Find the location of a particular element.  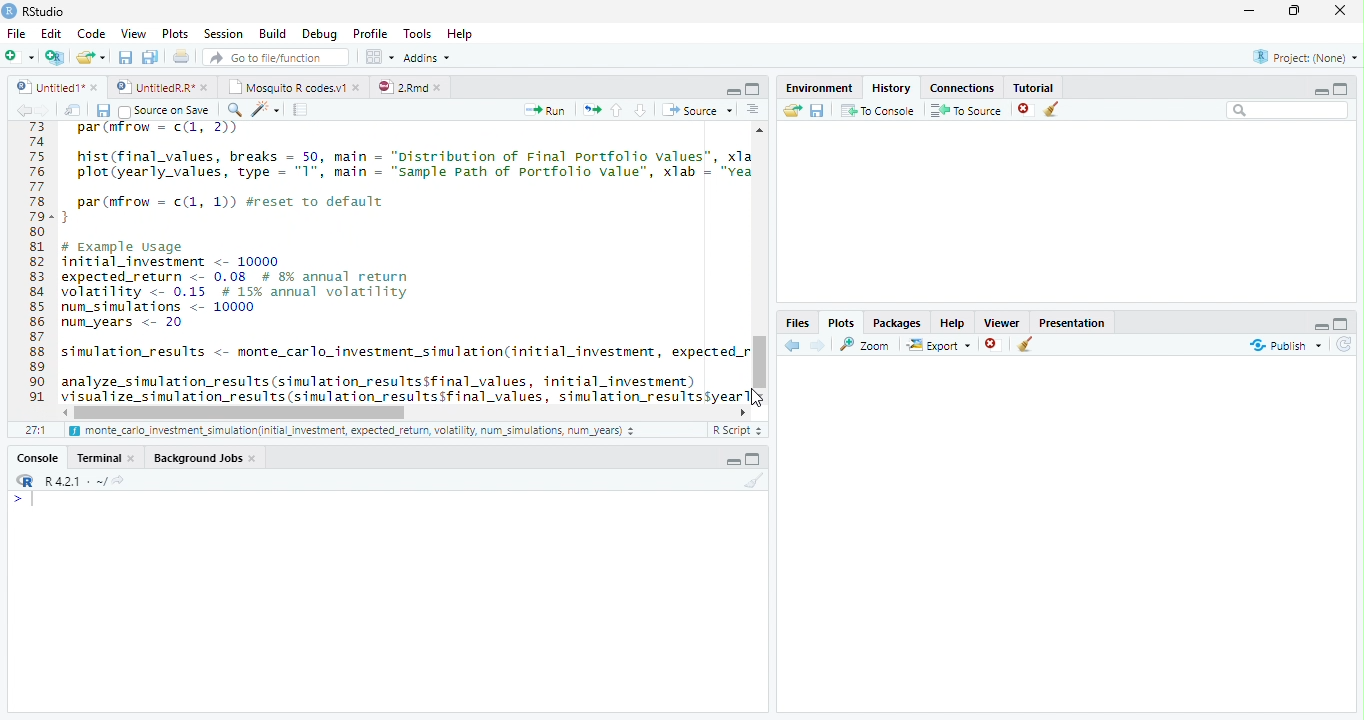

Help is located at coordinates (462, 35).